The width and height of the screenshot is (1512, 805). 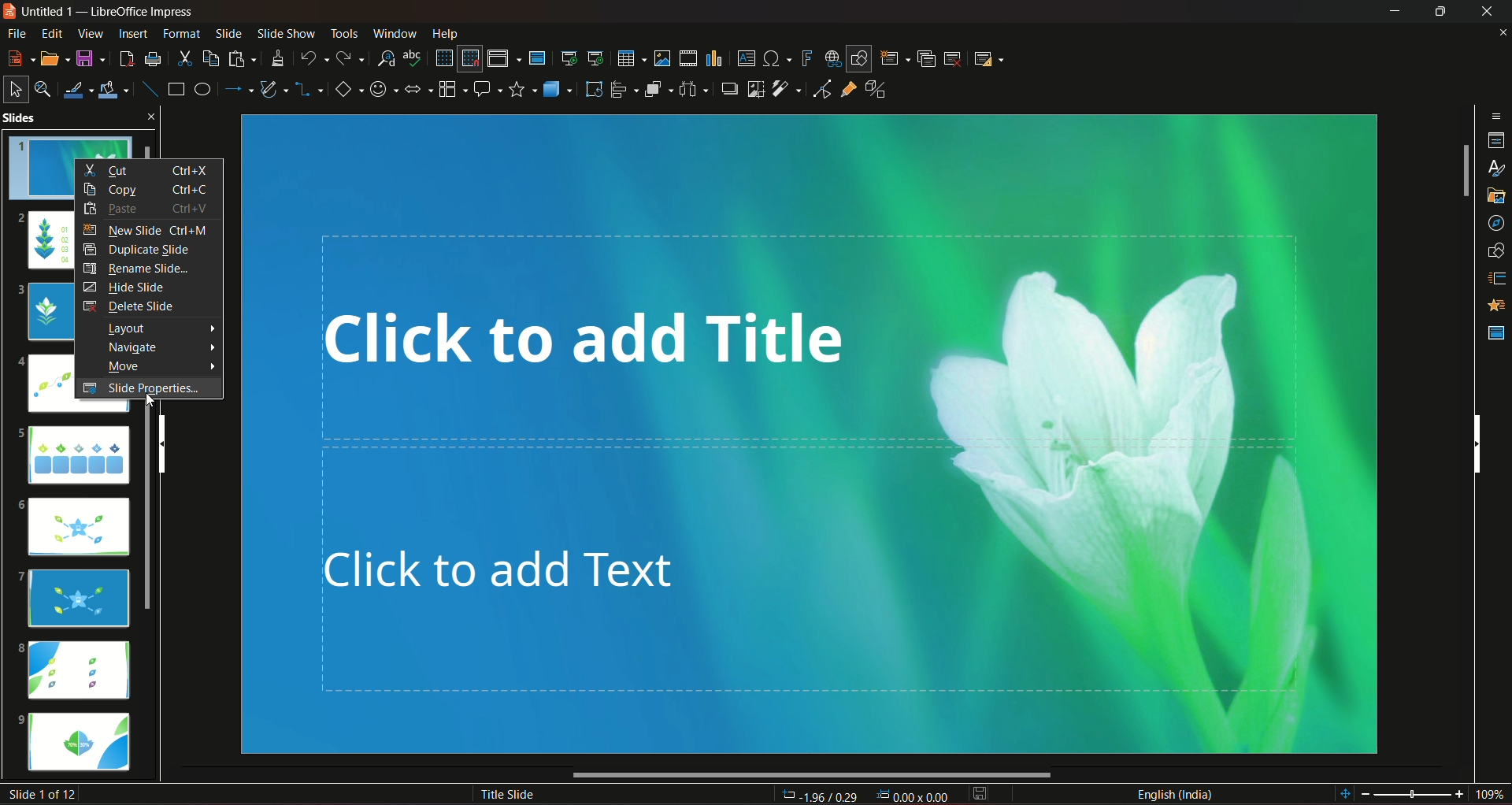 What do you see at coordinates (1421, 792) in the screenshot?
I see `zoom` at bounding box center [1421, 792].